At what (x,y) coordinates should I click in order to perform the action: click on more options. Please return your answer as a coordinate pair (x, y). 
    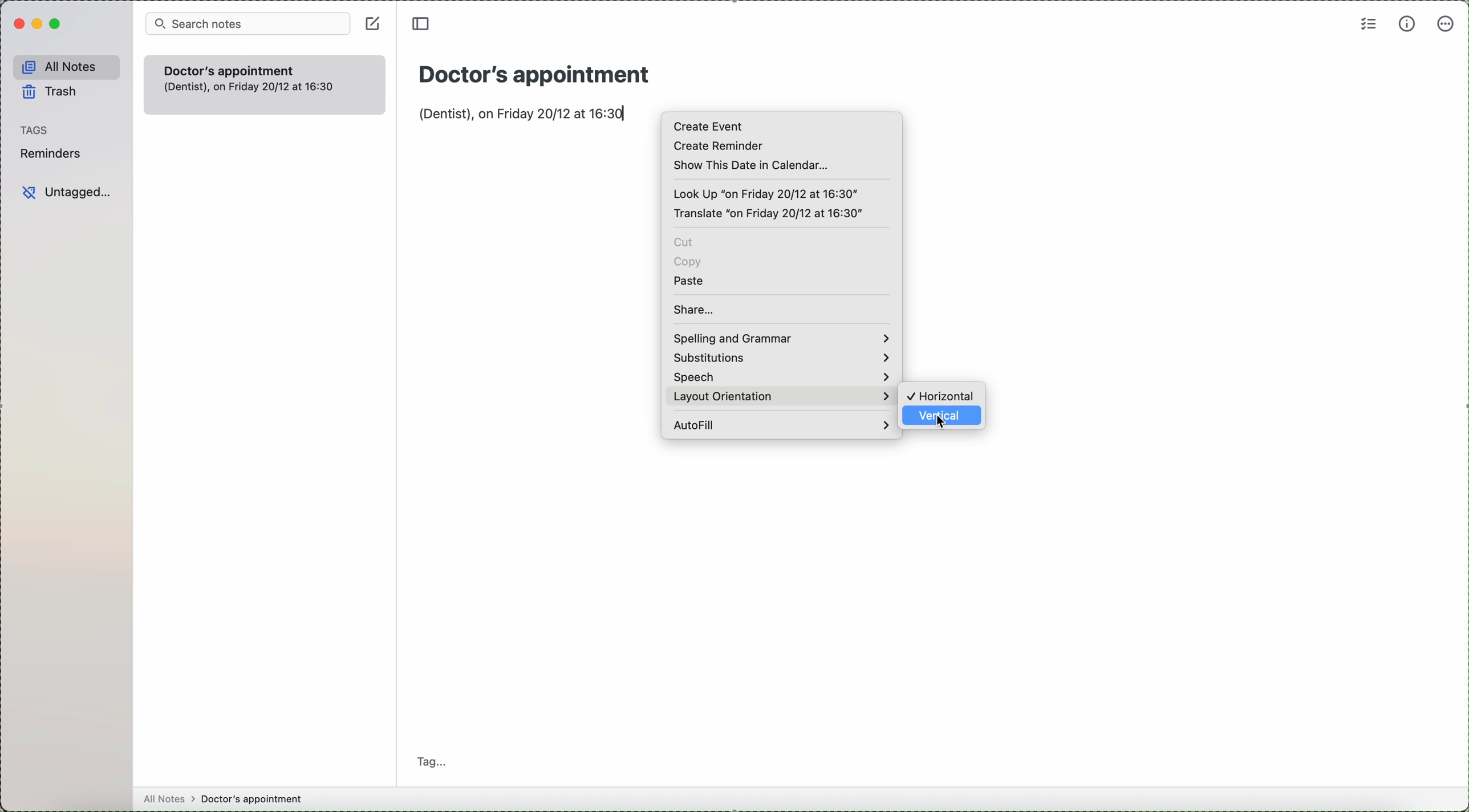
    Looking at the image, I should click on (1446, 26).